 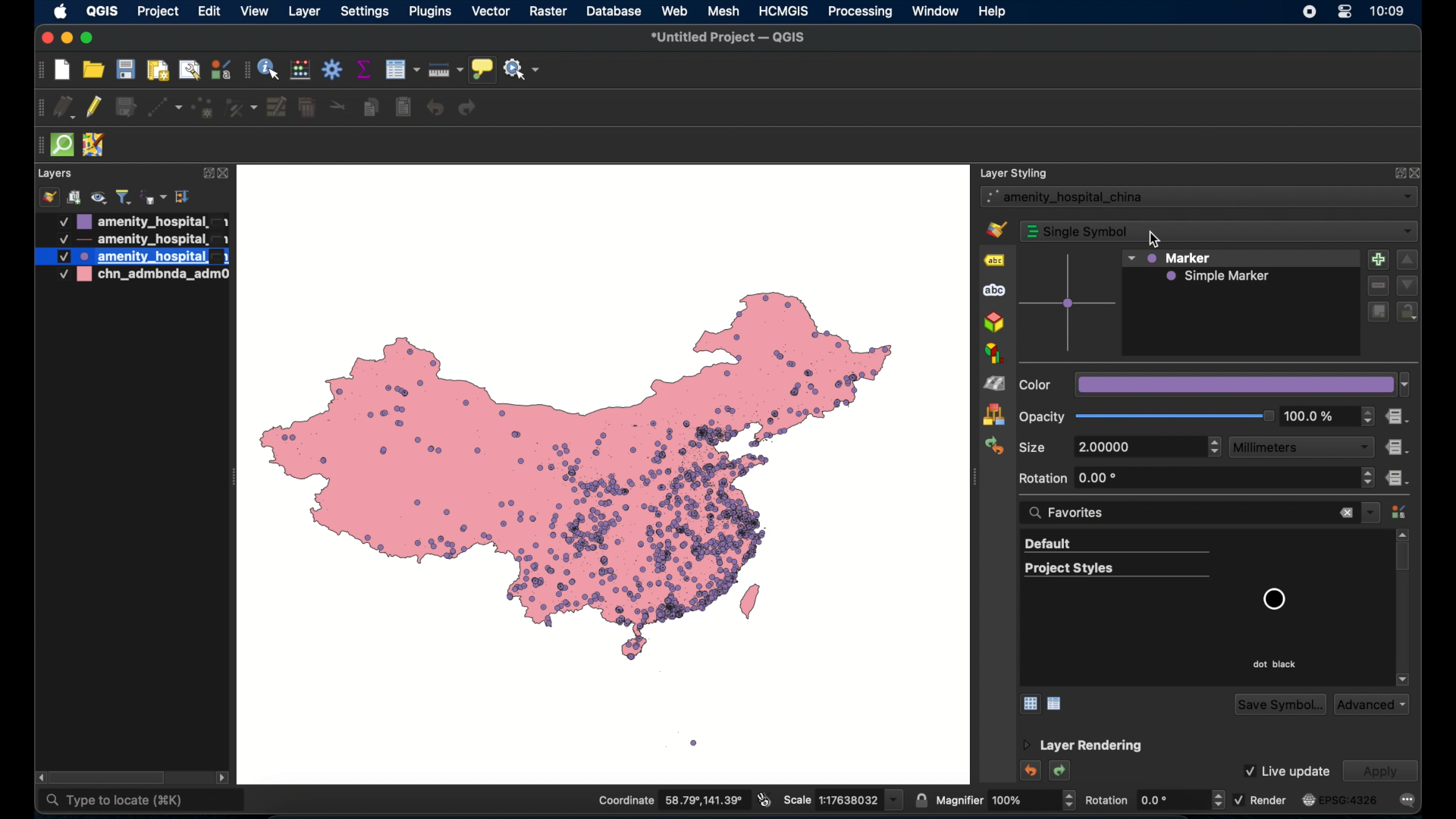 What do you see at coordinates (446, 69) in the screenshot?
I see `measure line` at bounding box center [446, 69].